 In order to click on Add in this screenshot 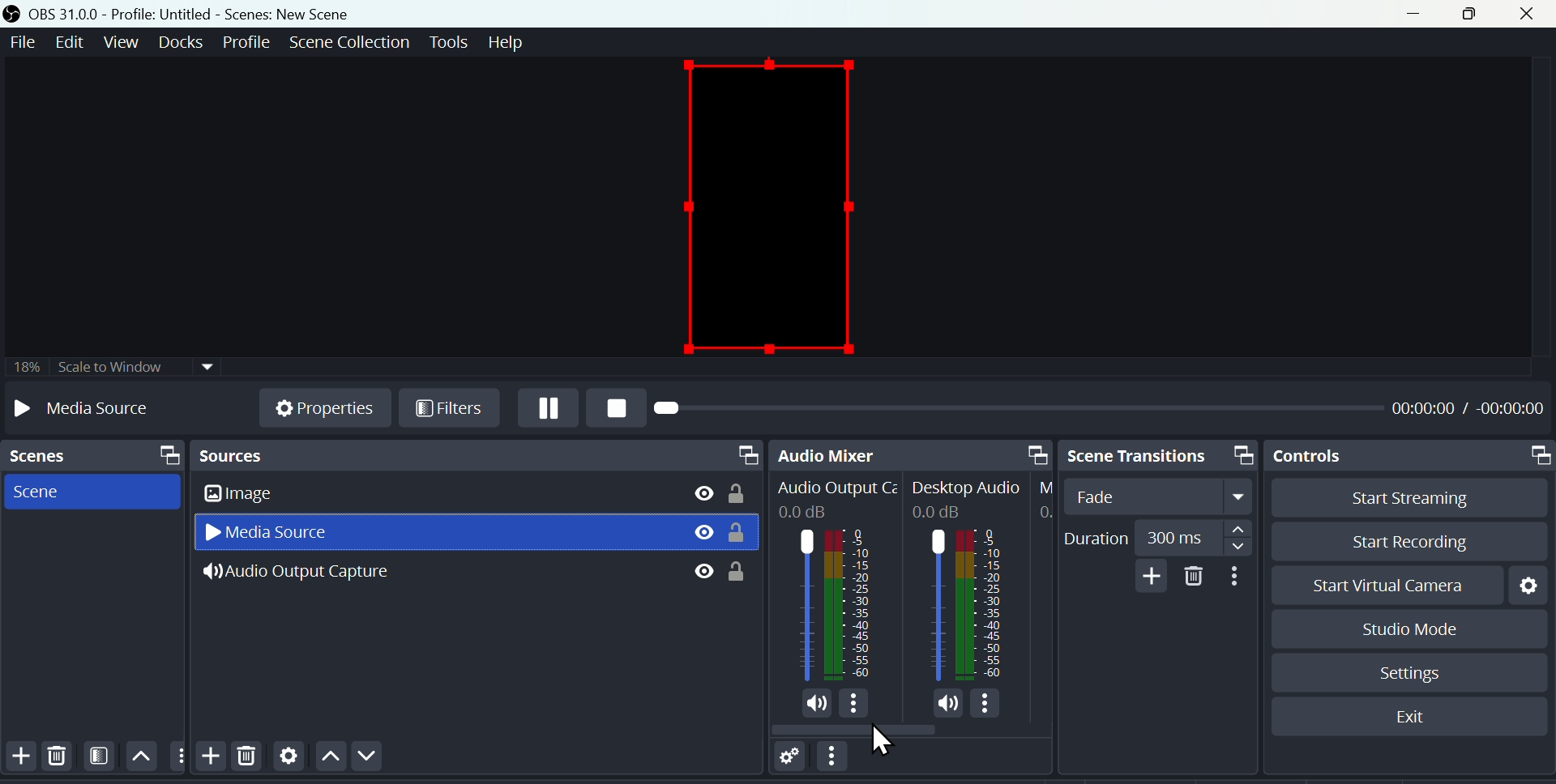, I will do `click(19, 758)`.